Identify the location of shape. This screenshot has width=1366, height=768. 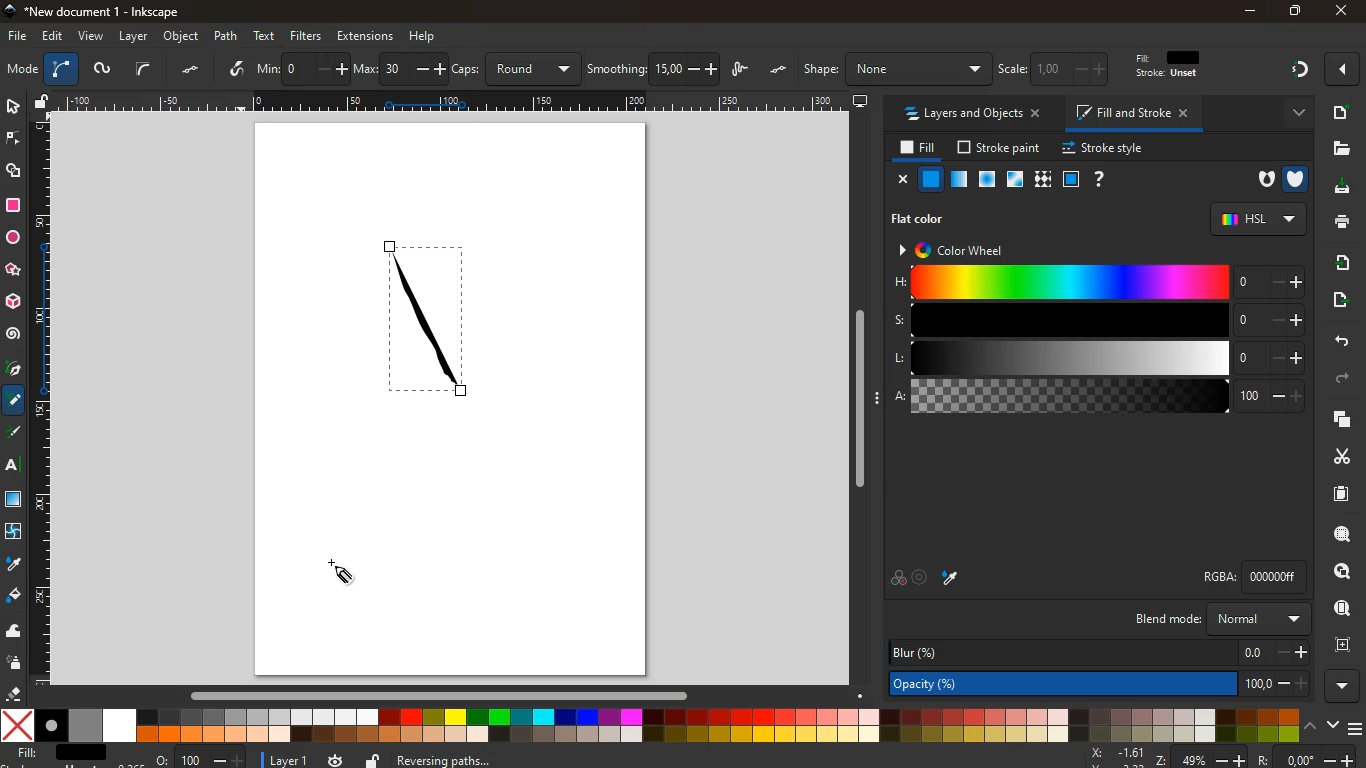
(896, 69).